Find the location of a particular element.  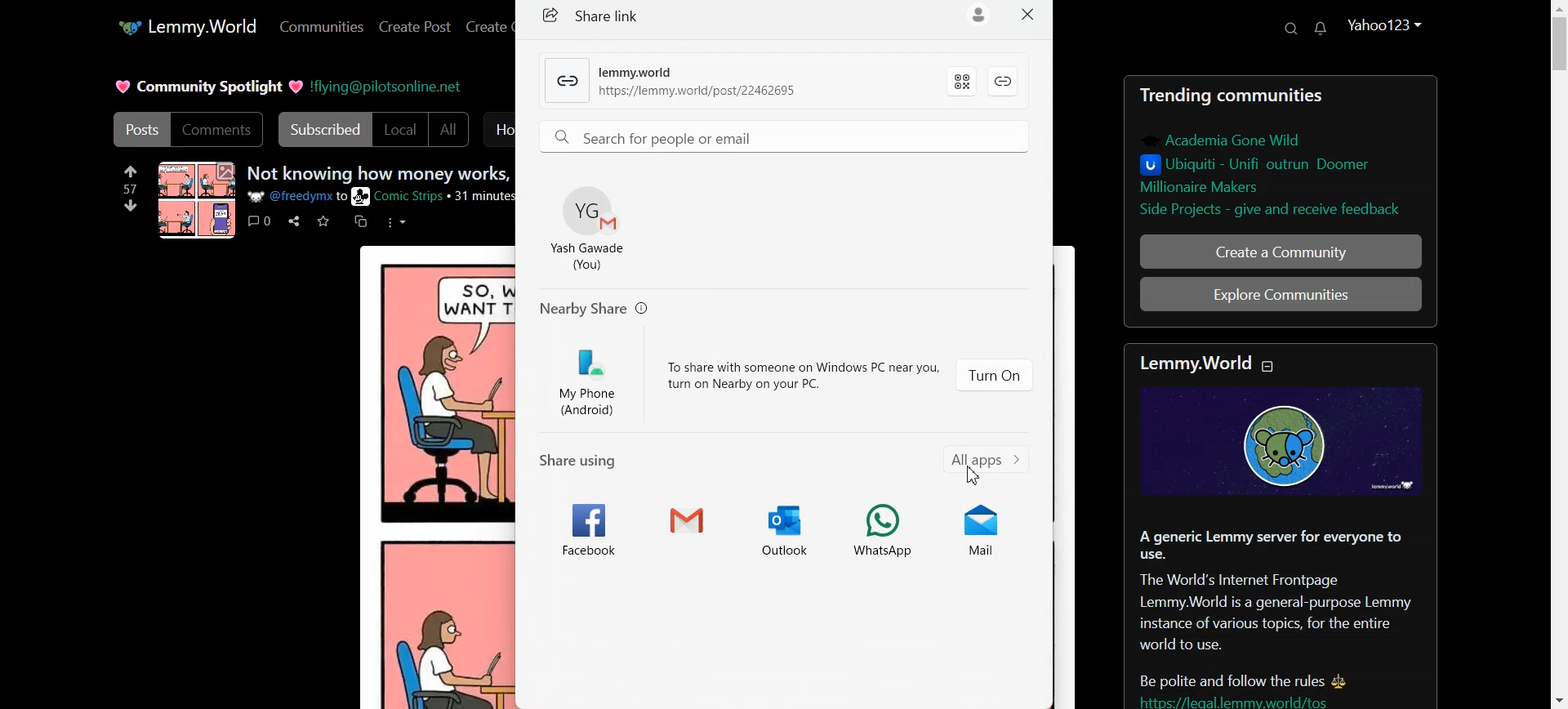

Text is located at coordinates (804, 371).